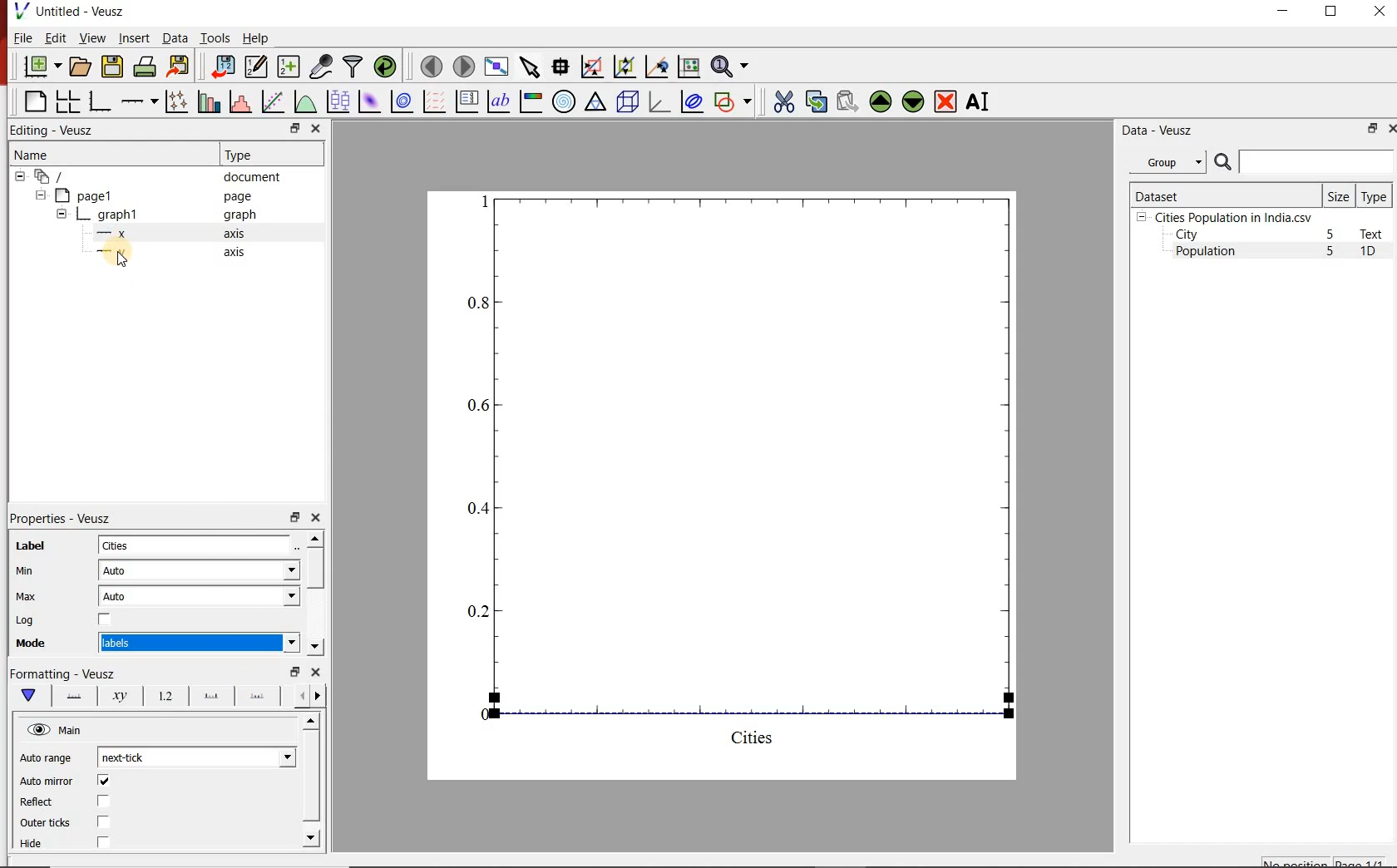 The image size is (1397, 868). Describe the element at coordinates (56, 730) in the screenshot. I see `Main` at that location.